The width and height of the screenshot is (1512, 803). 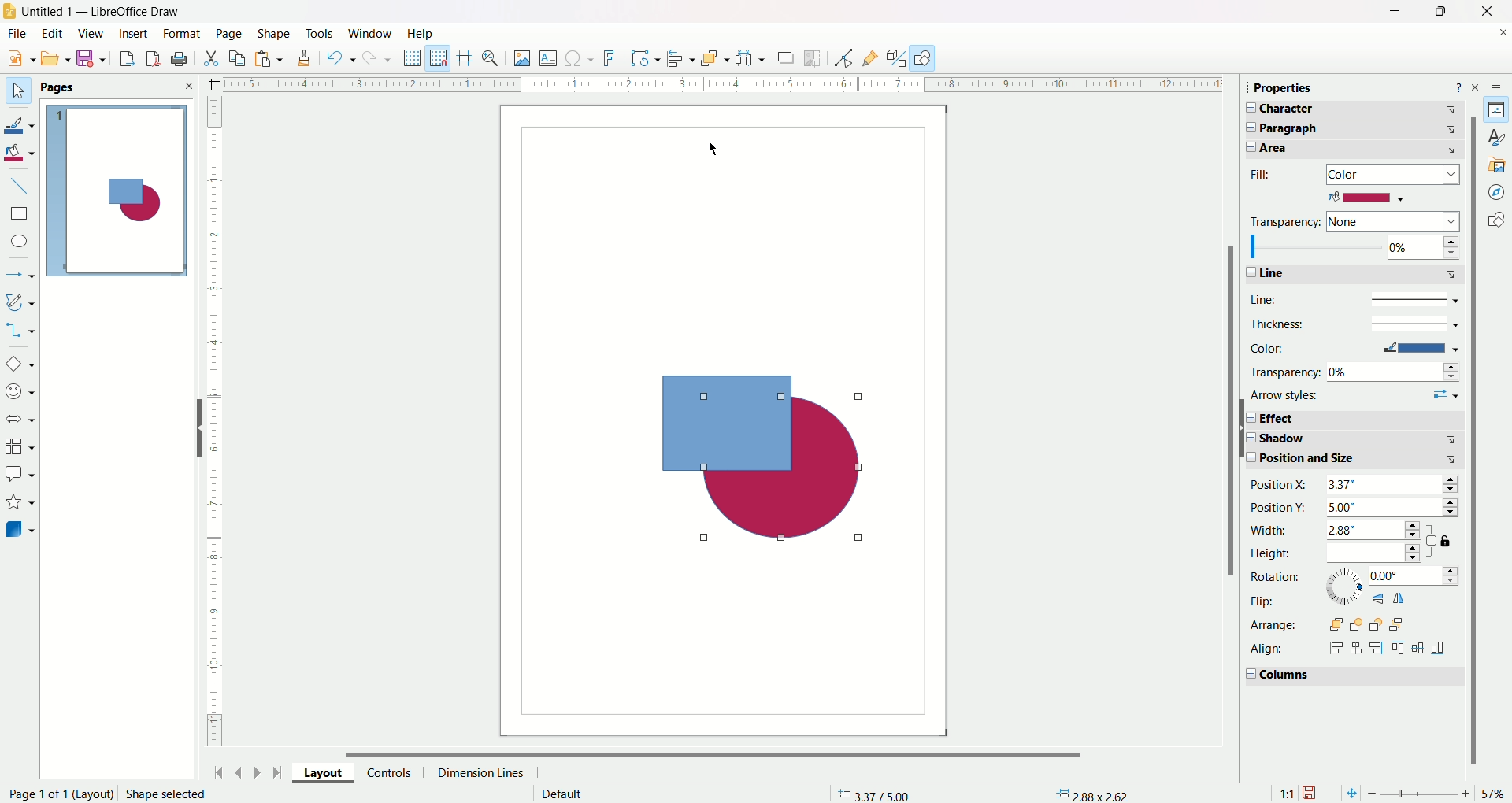 What do you see at coordinates (522, 59) in the screenshot?
I see `insert image` at bounding box center [522, 59].